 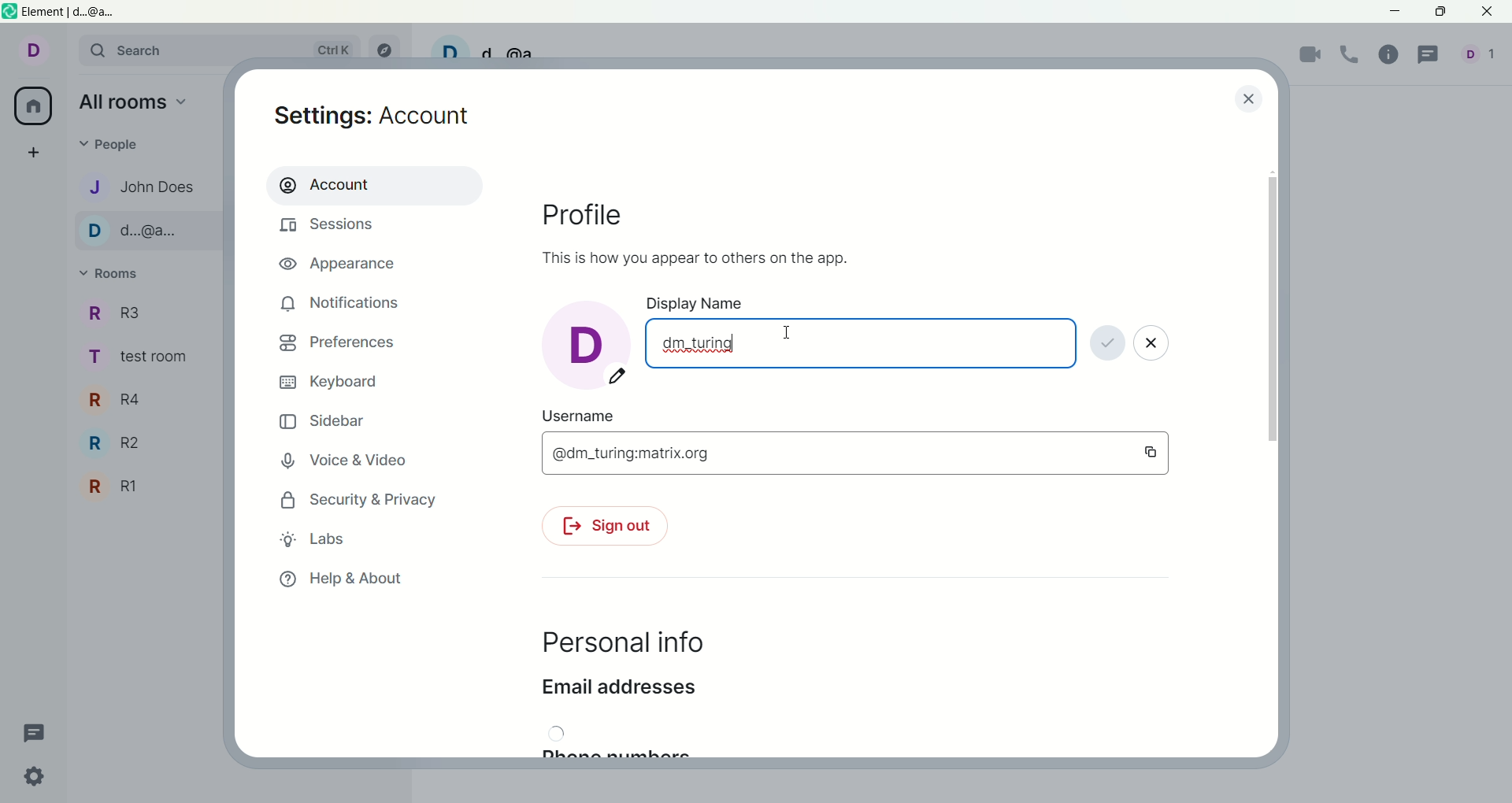 I want to click on sessions, so click(x=332, y=228).